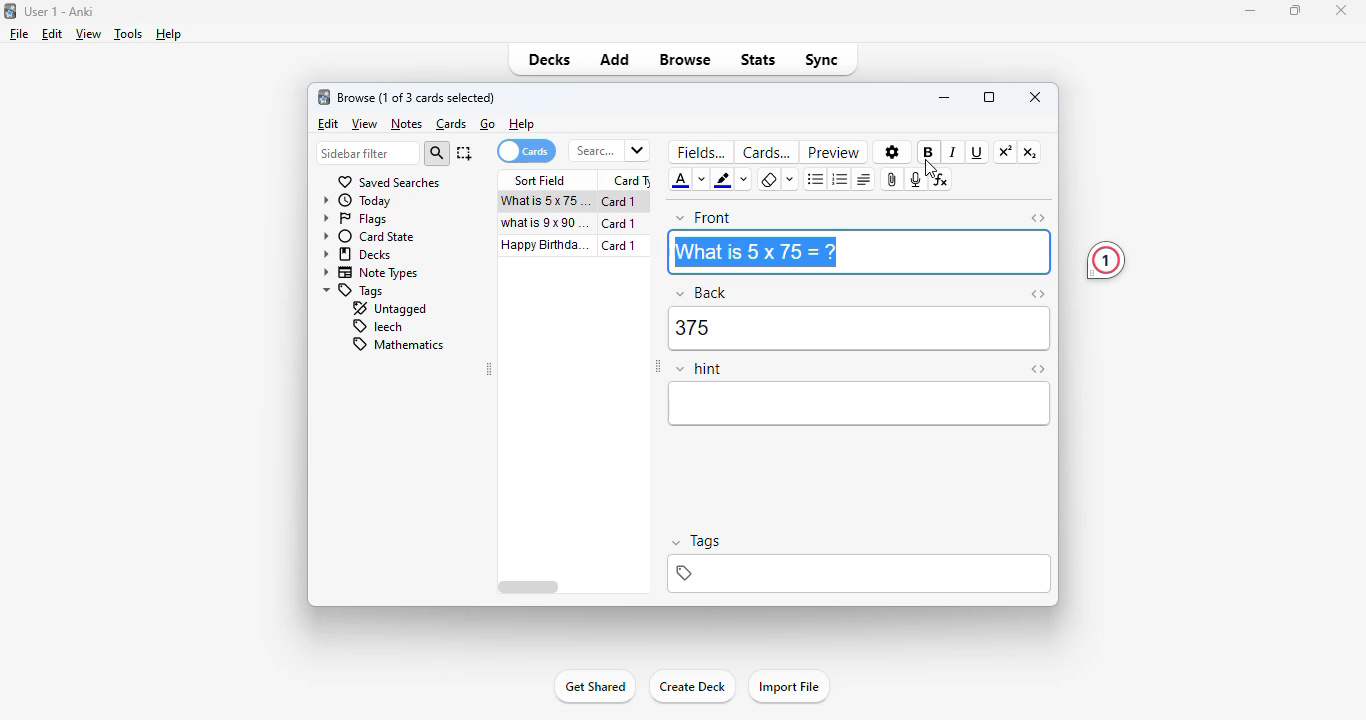 The image size is (1366, 720). Describe the element at coordinates (464, 153) in the screenshot. I see `select` at that location.